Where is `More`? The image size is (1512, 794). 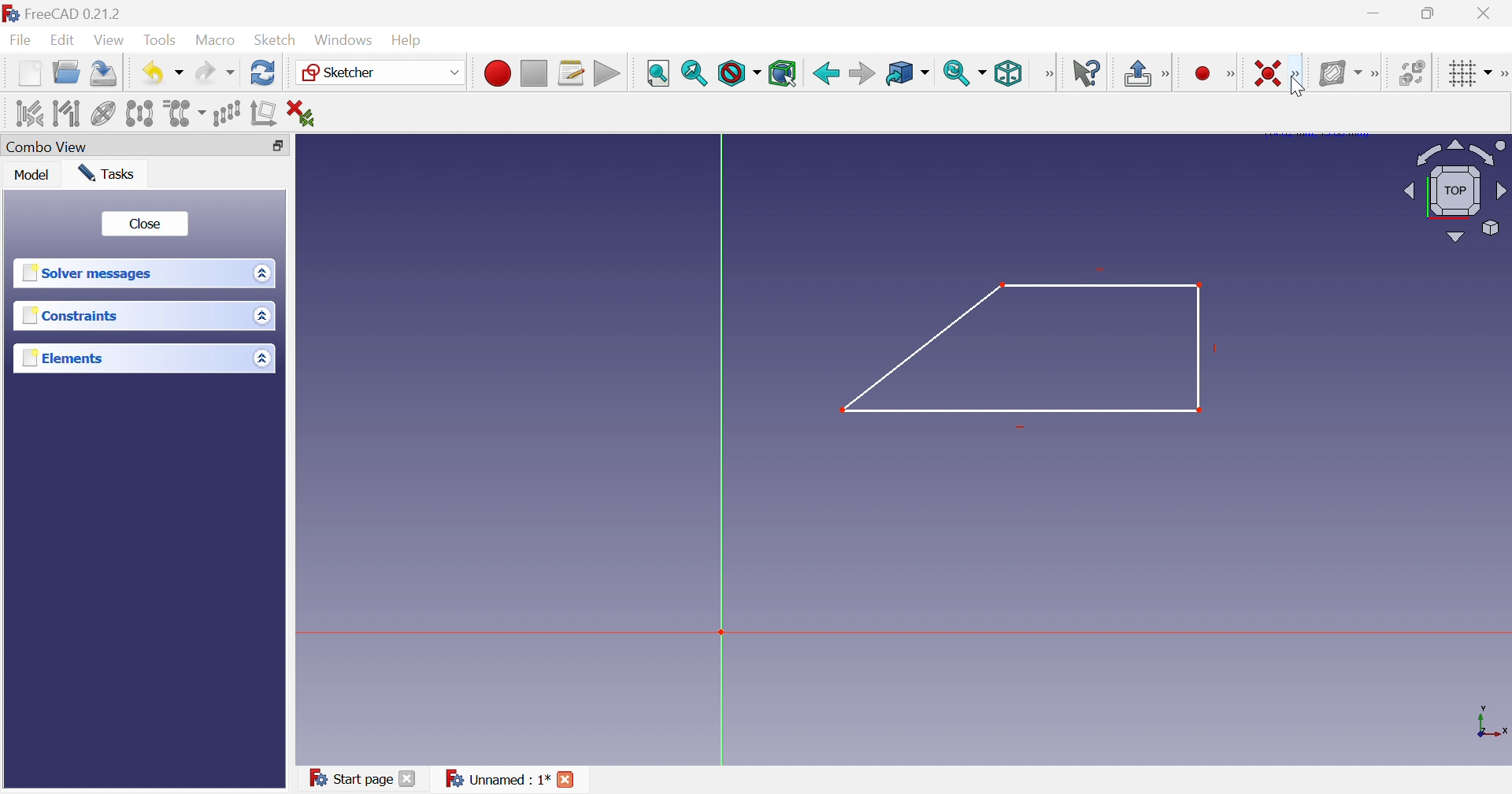 More is located at coordinates (1166, 74).